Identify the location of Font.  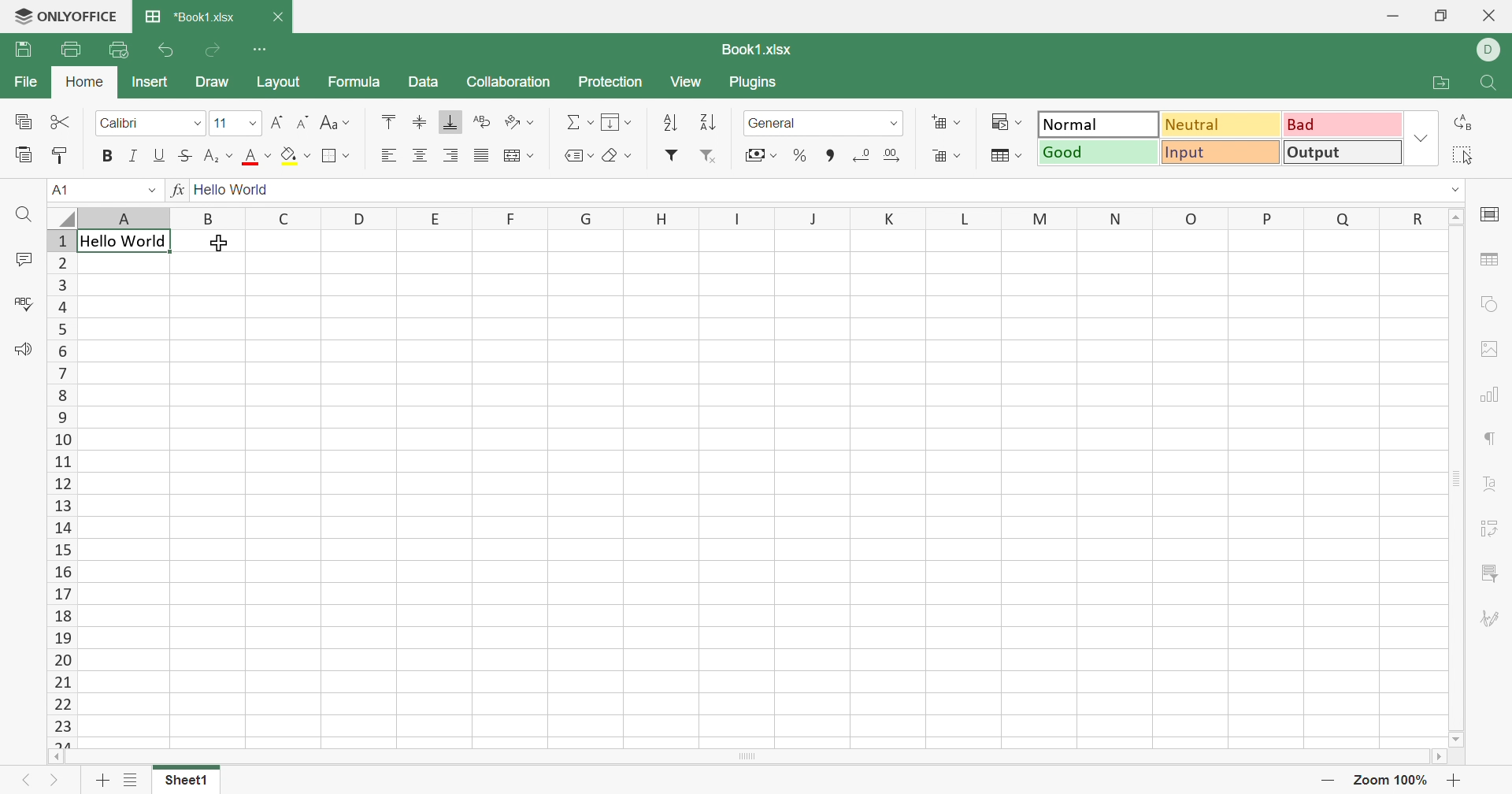
(149, 124).